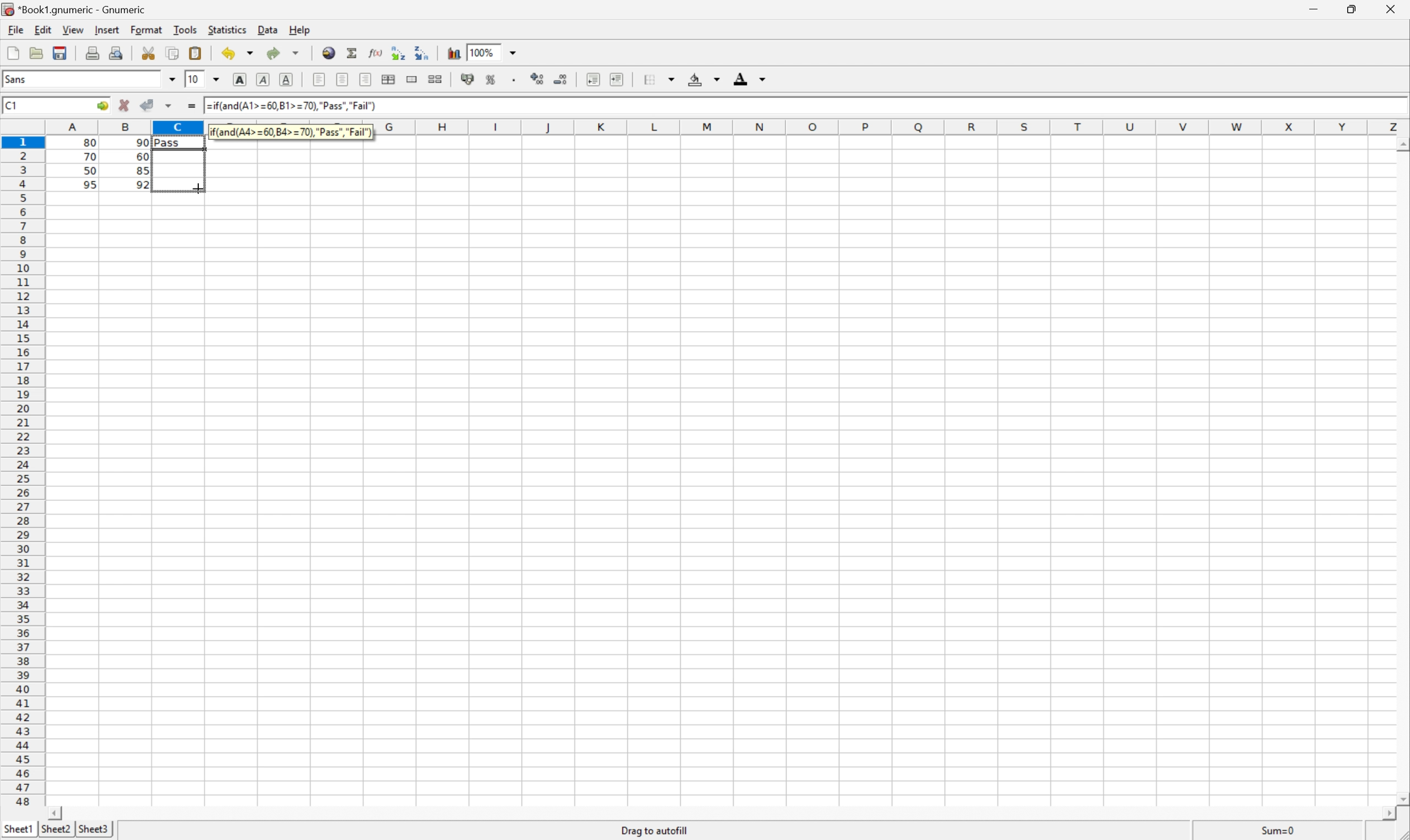 The image size is (1410, 840). I want to click on Align left, so click(367, 79).